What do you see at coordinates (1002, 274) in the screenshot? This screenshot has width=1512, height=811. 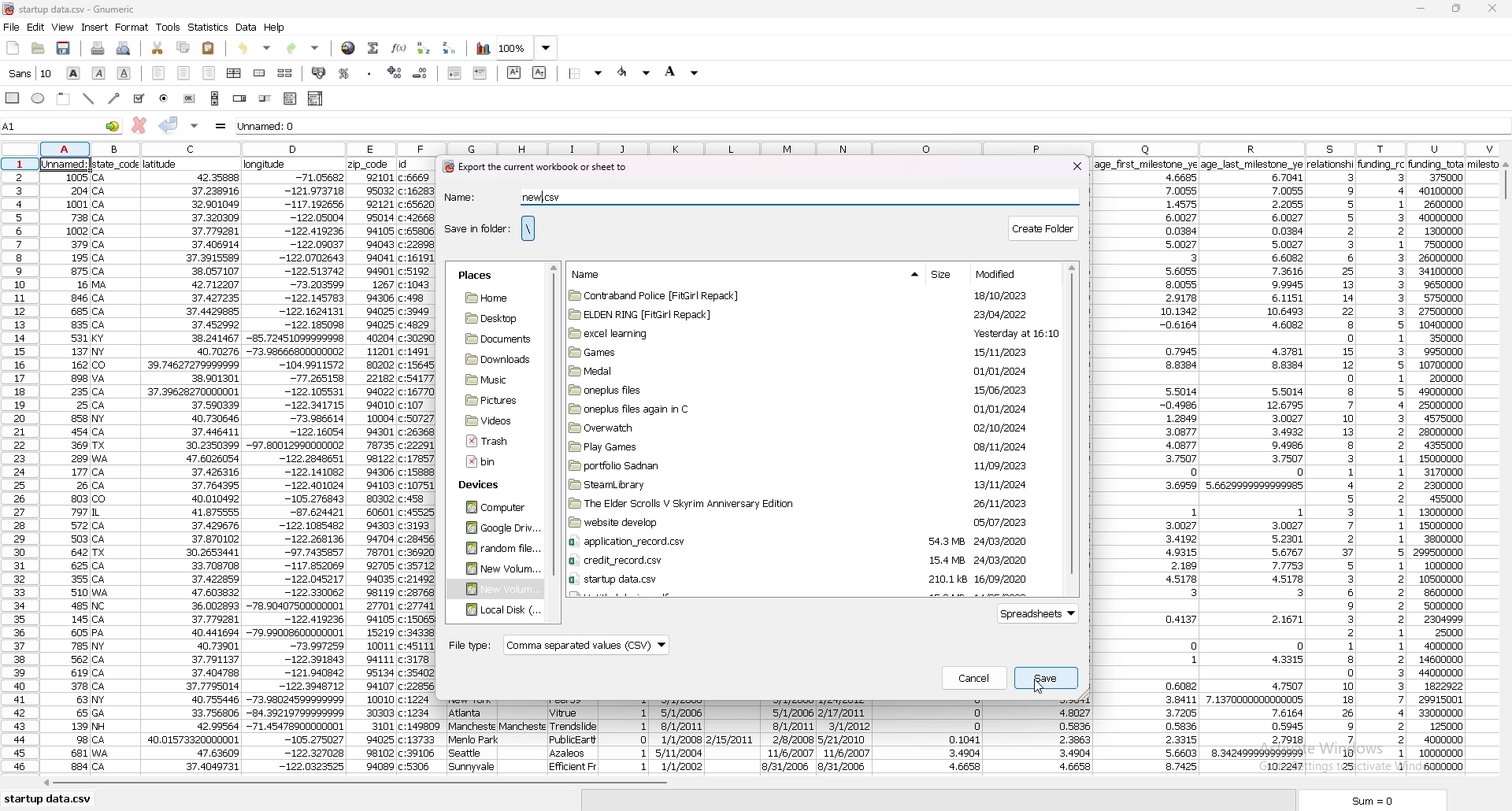 I see `modified` at bounding box center [1002, 274].